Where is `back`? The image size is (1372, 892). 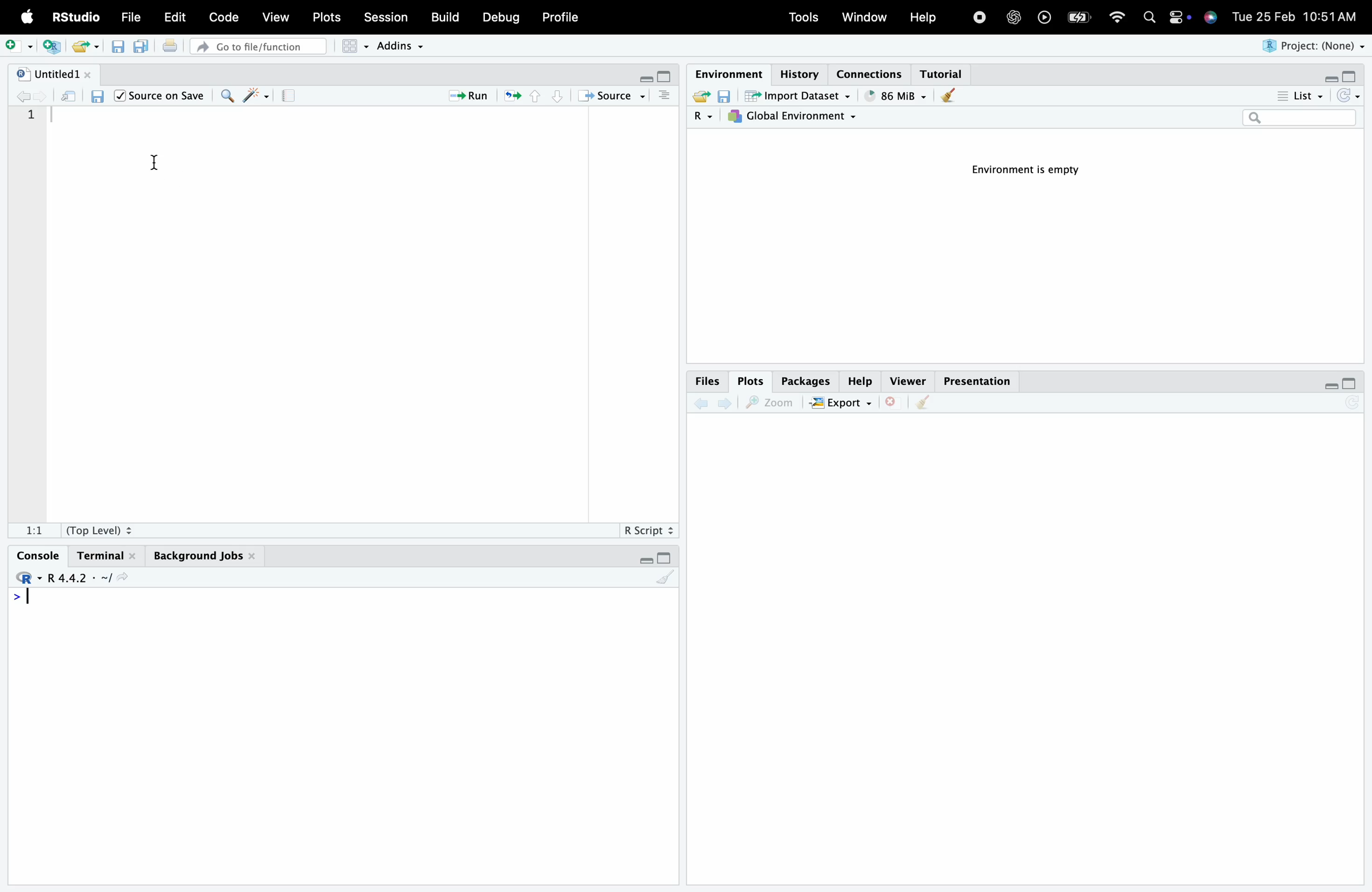
back is located at coordinates (28, 98).